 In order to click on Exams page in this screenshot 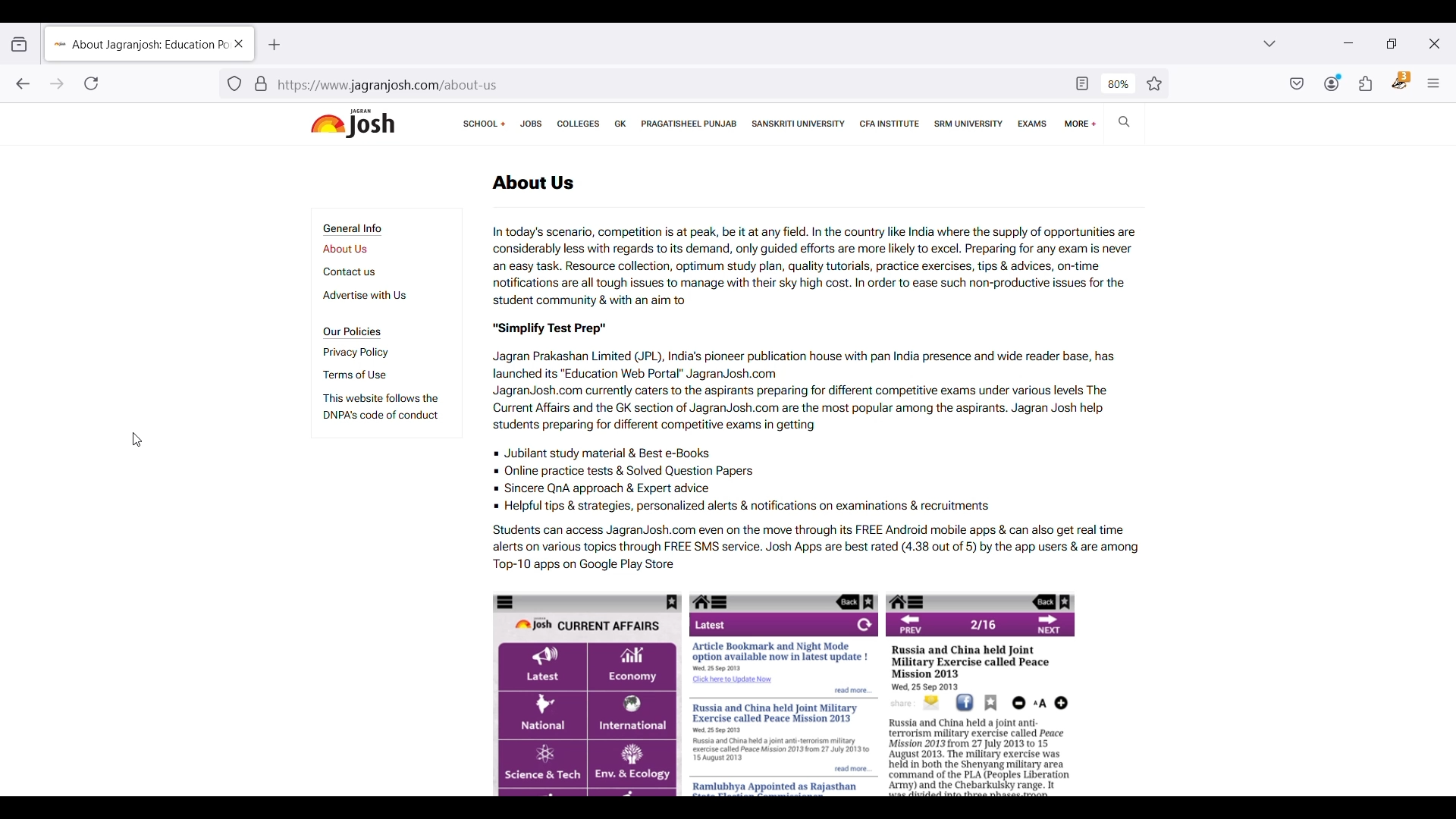, I will do `click(1032, 123)`.